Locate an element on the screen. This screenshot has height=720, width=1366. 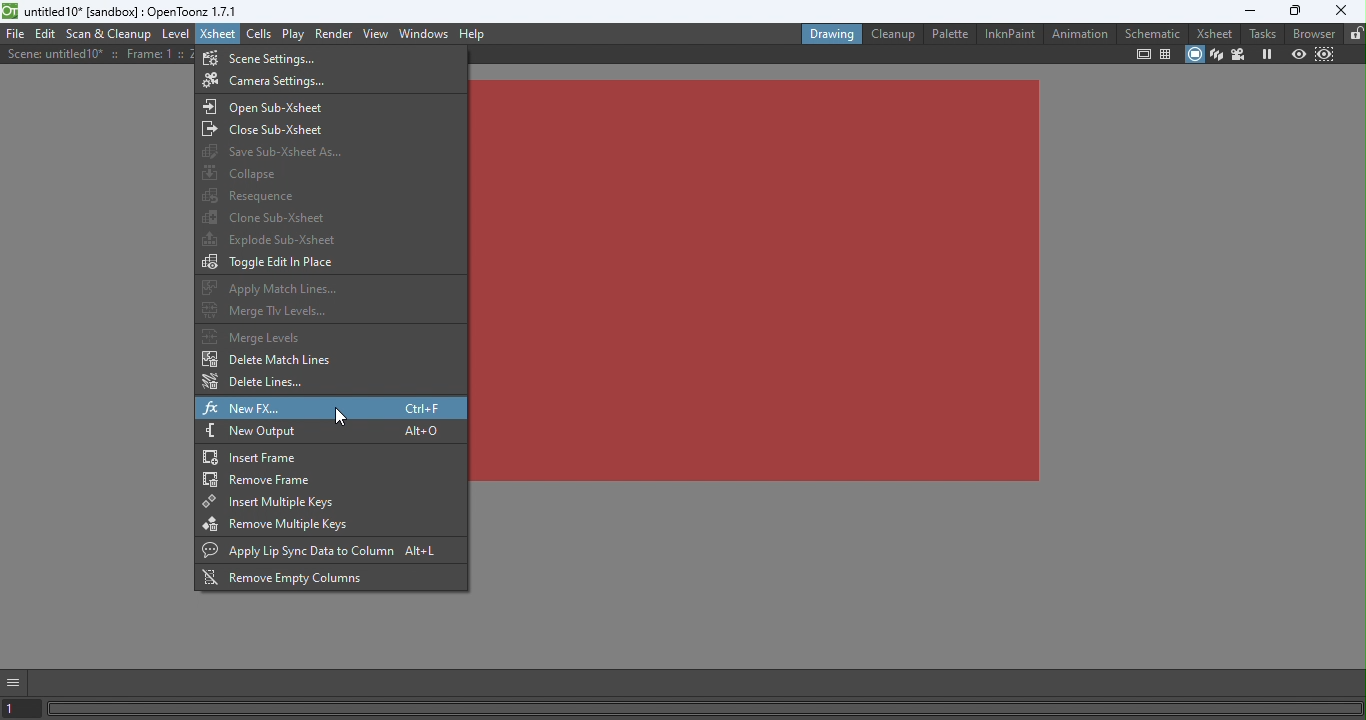
Drawing is located at coordinates (831, 33).